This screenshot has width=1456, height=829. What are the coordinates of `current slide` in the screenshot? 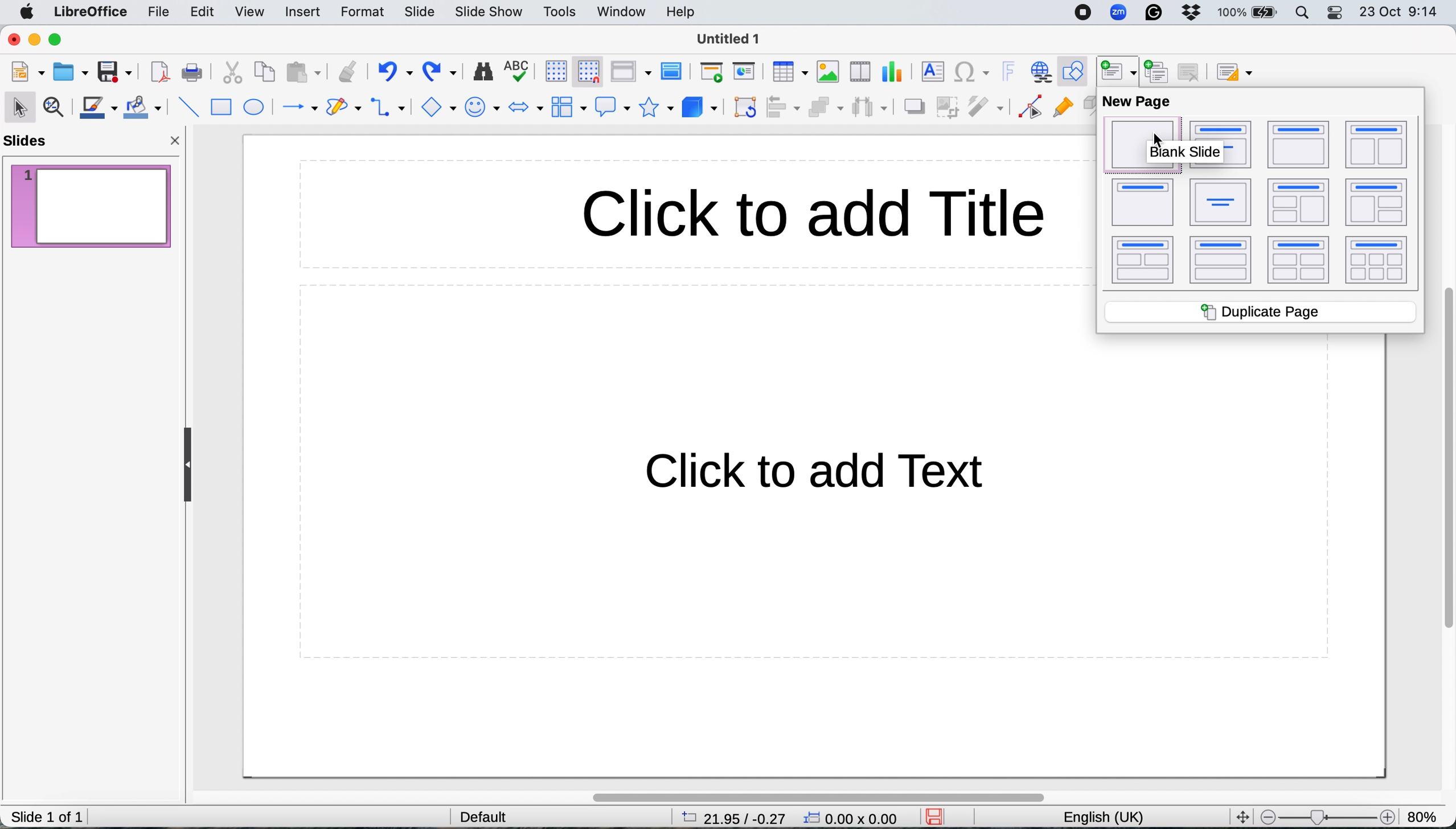 It's located at (91, 204).